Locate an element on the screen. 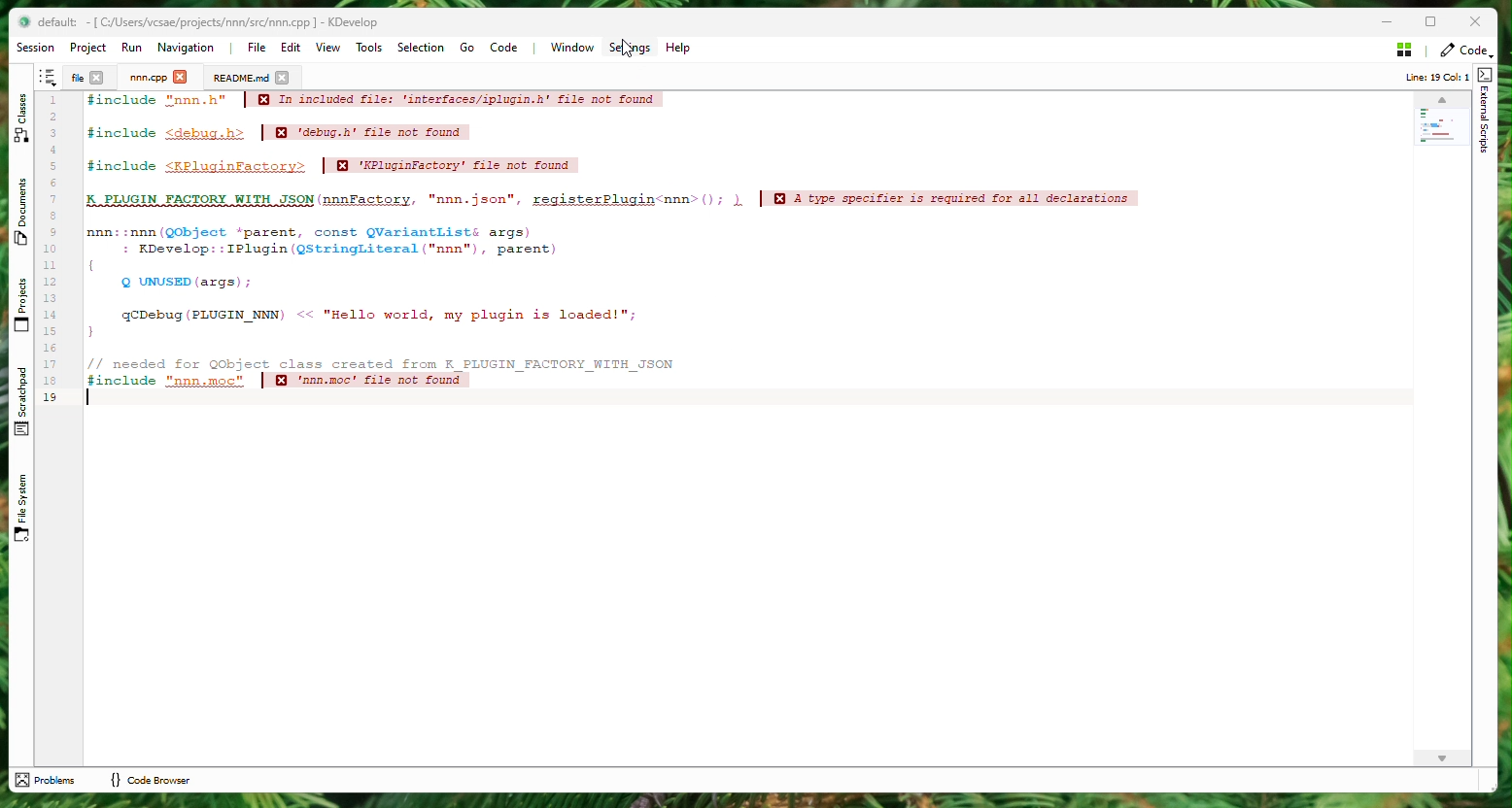  19 is located at coordinates (52, 396).